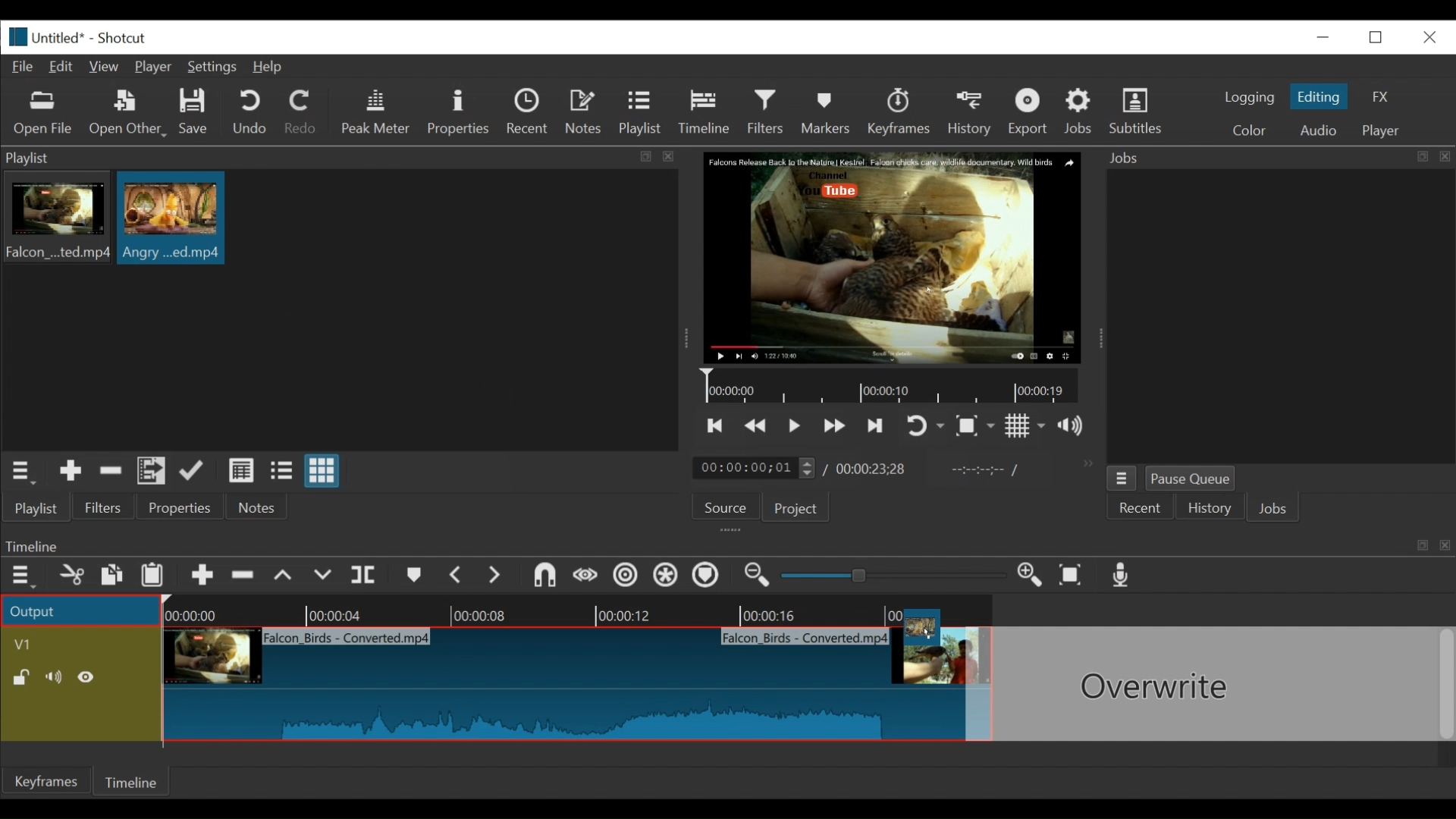 This screenshot has width=1456, height=819. What do you see at coordinates (1280, 315) in the screenshot?
I see `jobs panel` at bounding box center [1280, 315].